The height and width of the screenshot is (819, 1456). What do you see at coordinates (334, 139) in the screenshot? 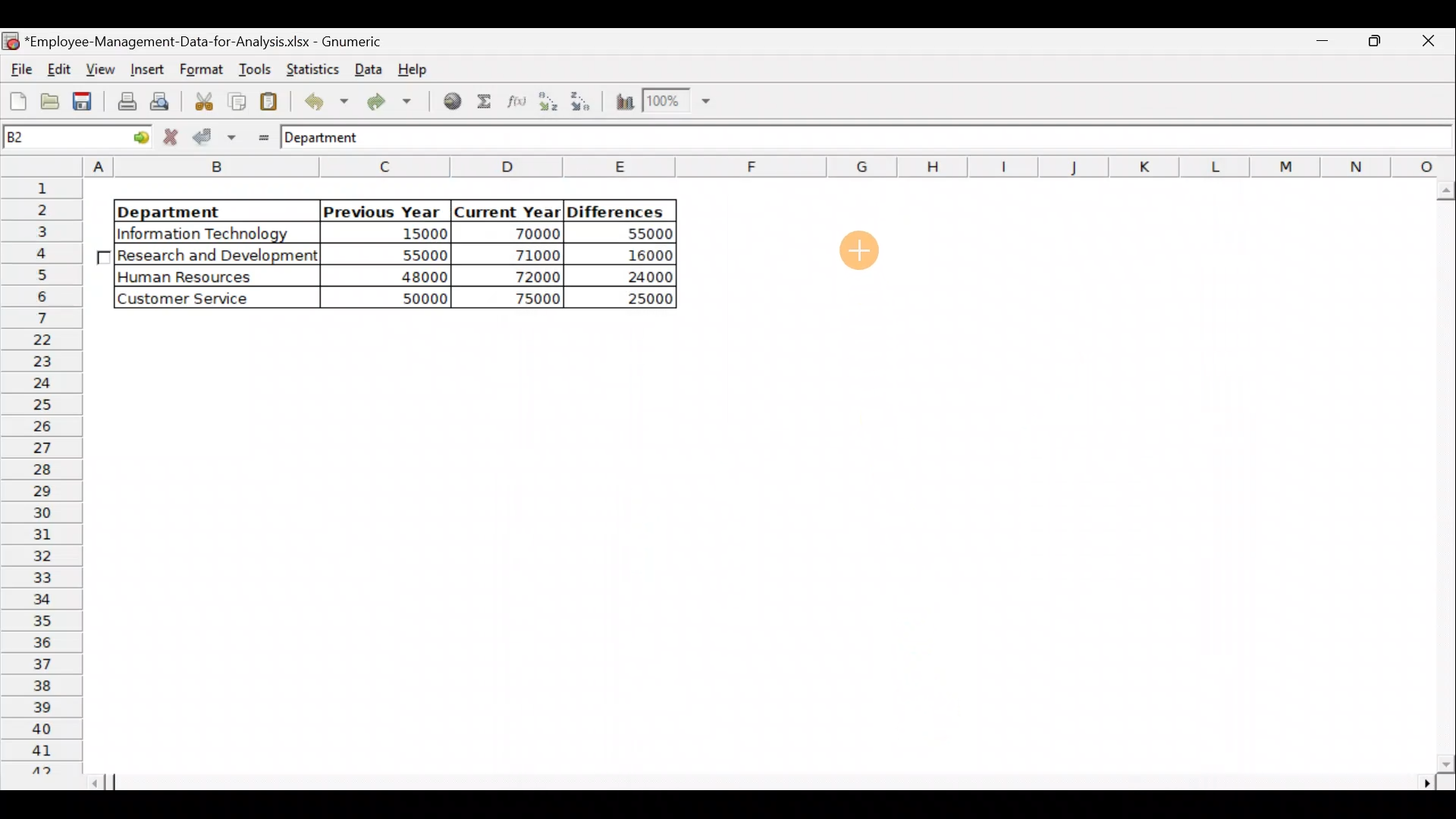
I see `Department` at bounding box center [334, 139].